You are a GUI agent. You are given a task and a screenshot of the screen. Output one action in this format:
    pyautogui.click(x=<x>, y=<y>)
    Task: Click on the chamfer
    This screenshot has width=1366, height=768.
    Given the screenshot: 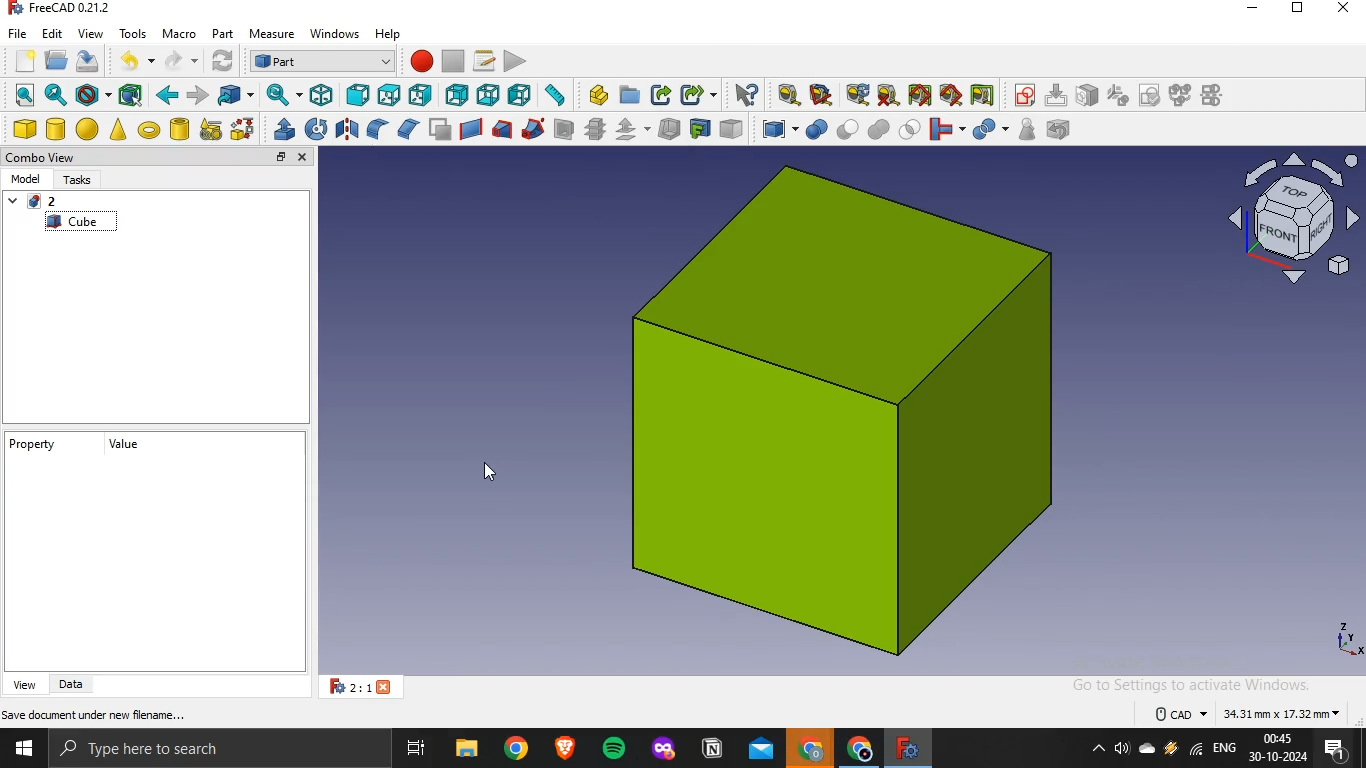 What is the action you would take?
    pyautogui.click(x=406, y=129)
    